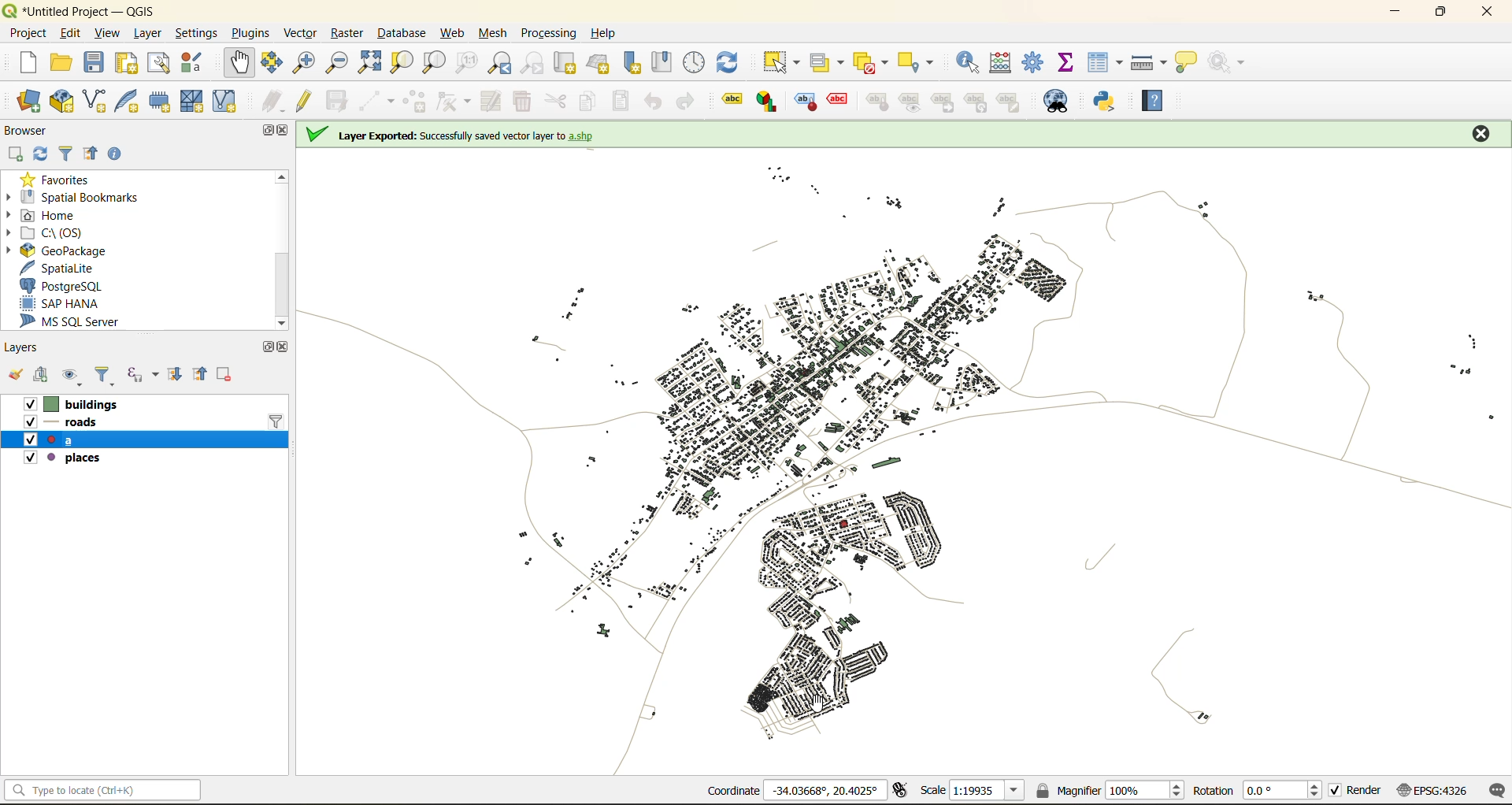 Image resolution: width=1512 pixels, height=805 pixels. What do you see at coordinates (1109, 63) in the screenshot?
I see `attributes table` at bounding box center [1109, 63].